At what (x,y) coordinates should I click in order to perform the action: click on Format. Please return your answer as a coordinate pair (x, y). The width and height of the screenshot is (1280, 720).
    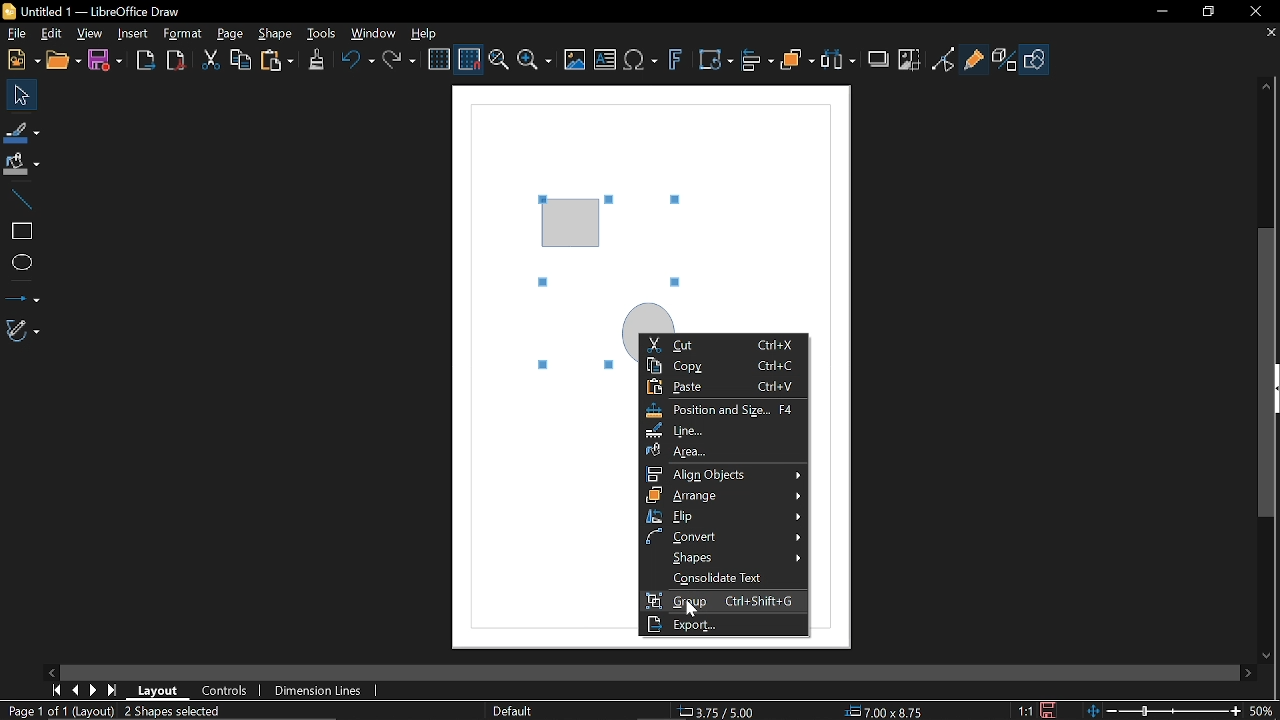
    Looking at the image, I should click on (183, 34).